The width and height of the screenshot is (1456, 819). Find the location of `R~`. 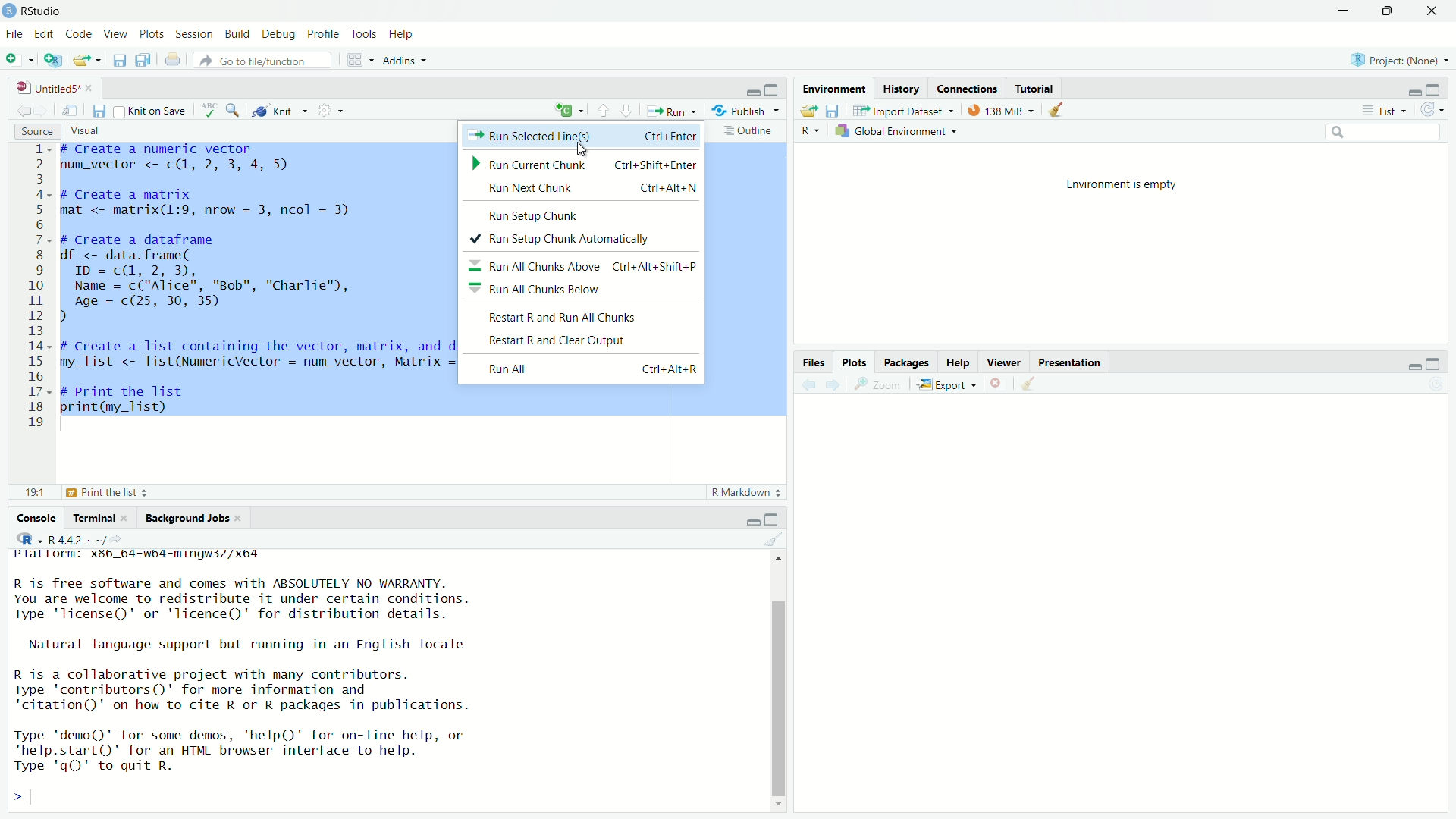

R~ is located at coordinates (811, 129).